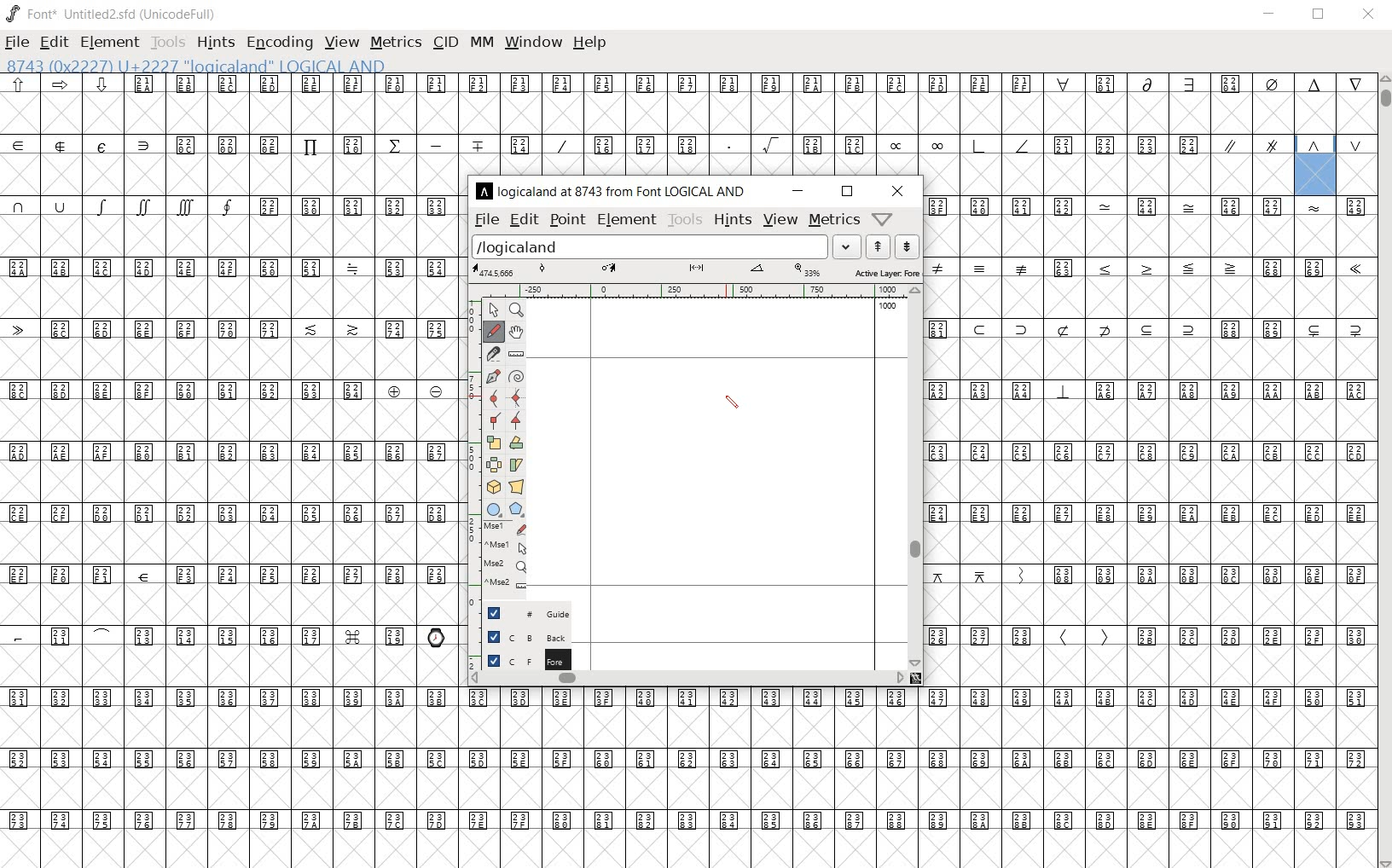 Image resolution: width=1392 pixels, height=868 pixels. Describe the element at coordinates (897, 191) in the screenshot. I see `close` at that location.